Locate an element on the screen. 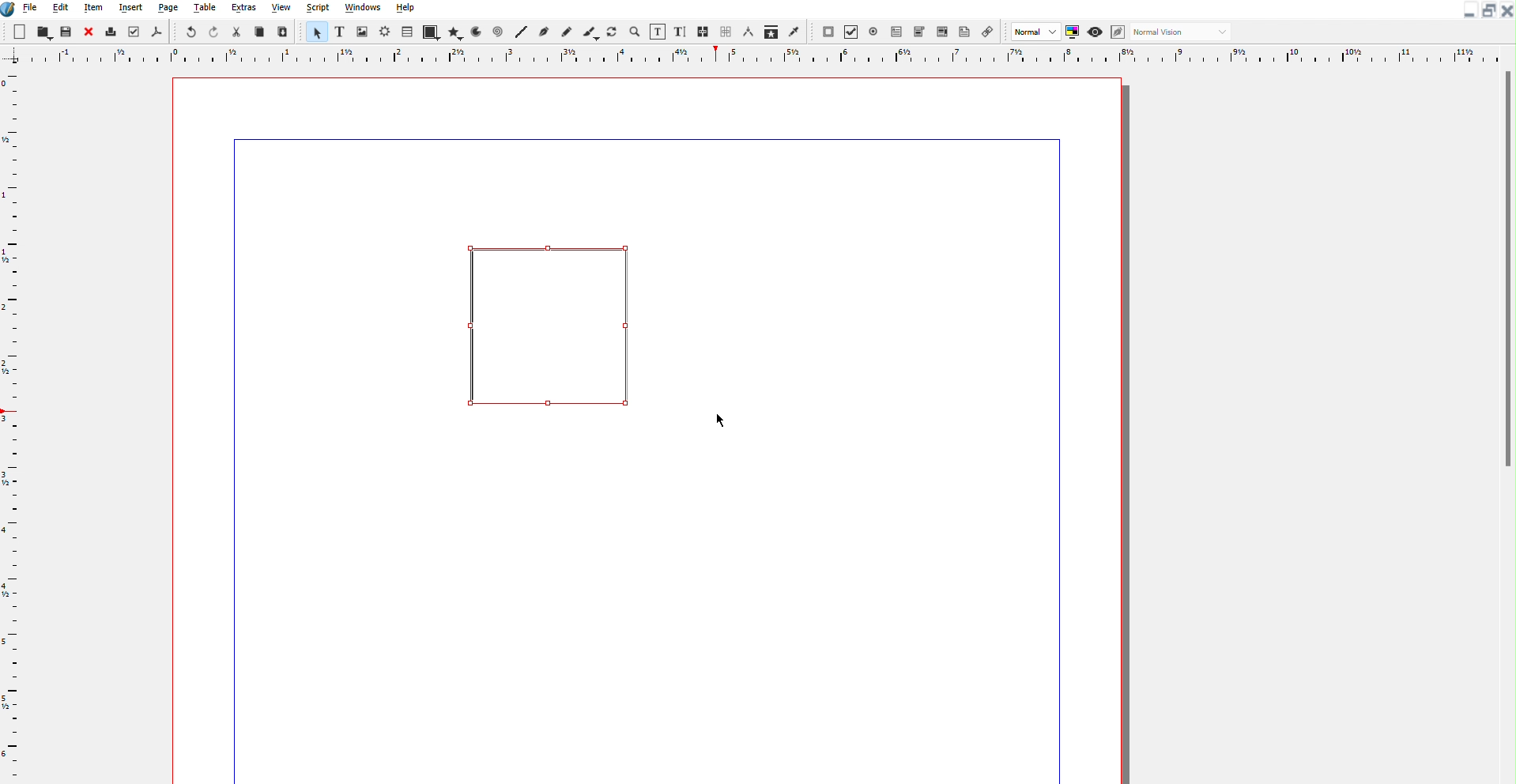  Brightness is located at coordinates (385, 32).